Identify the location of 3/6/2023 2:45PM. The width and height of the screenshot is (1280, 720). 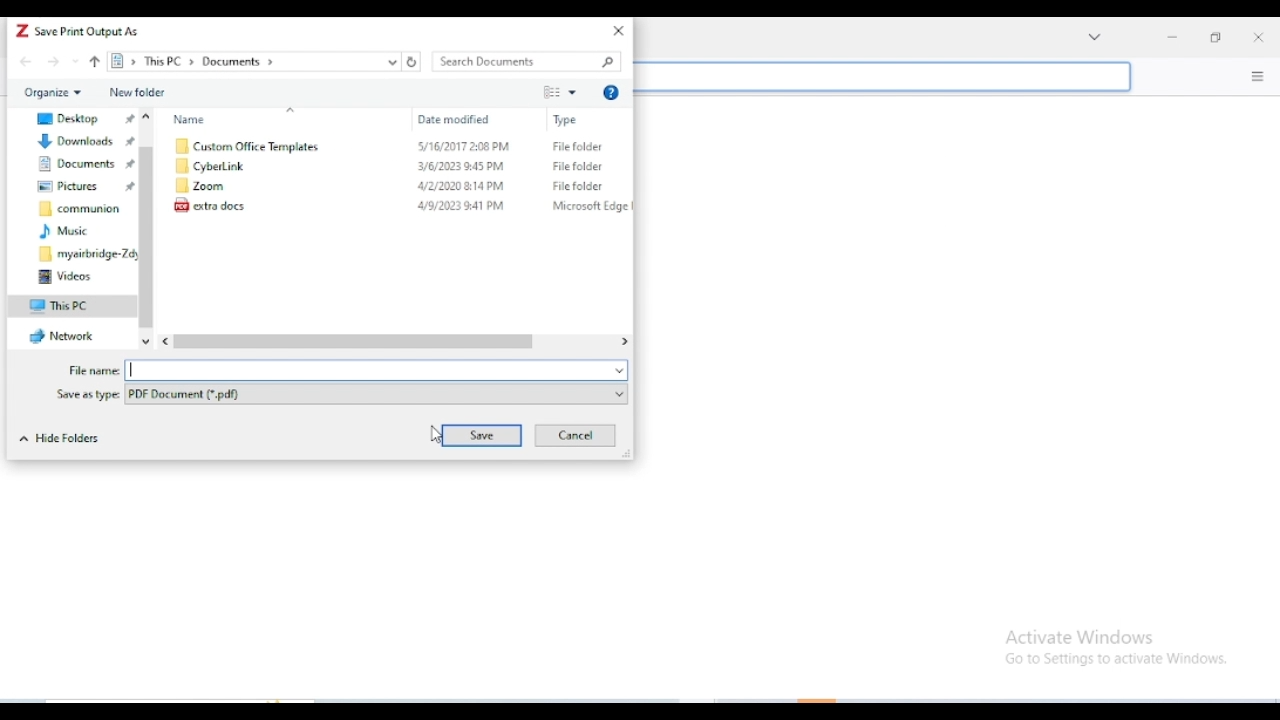
(462, 166).